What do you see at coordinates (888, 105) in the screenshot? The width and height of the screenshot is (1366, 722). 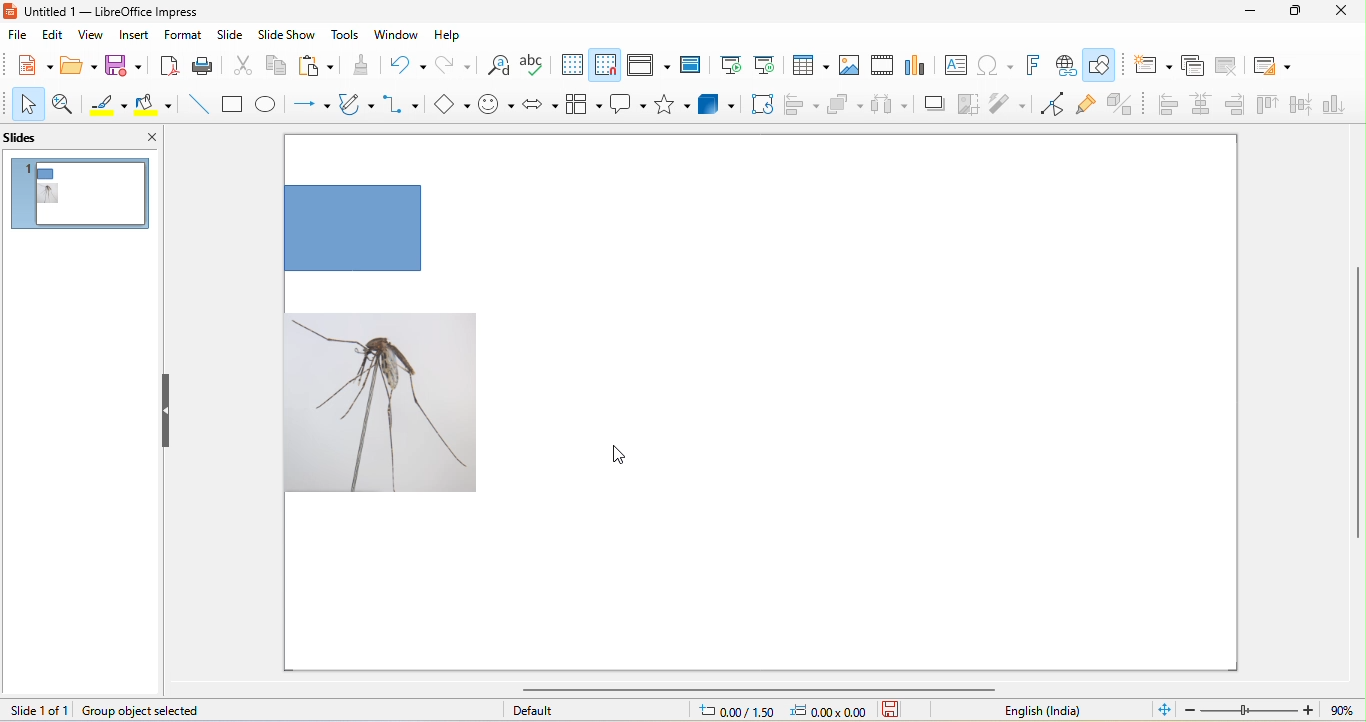 I see `select atleast three object` at bounding box center [888, 105].